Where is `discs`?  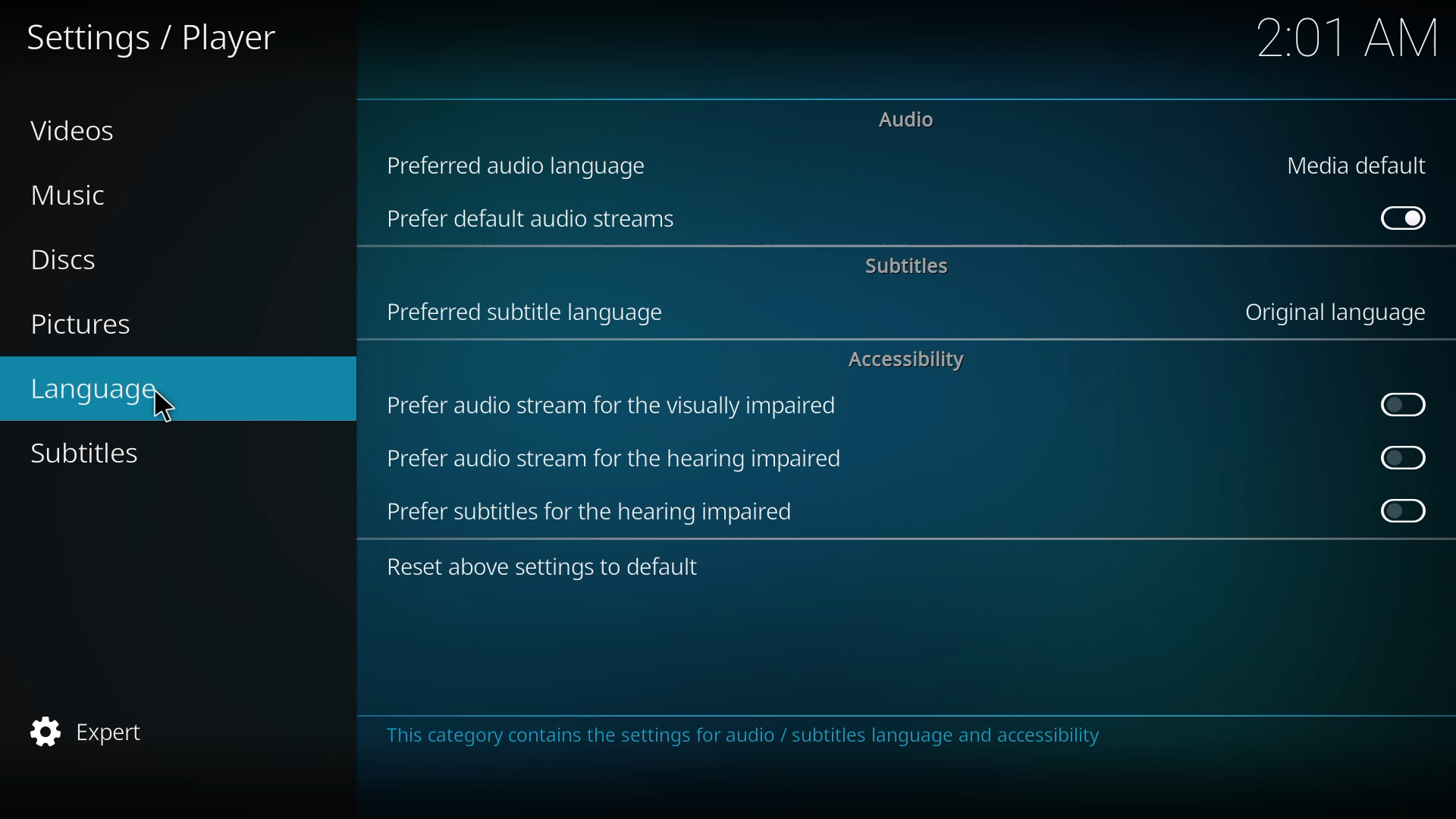 discs is located at coordinates (71, 262).